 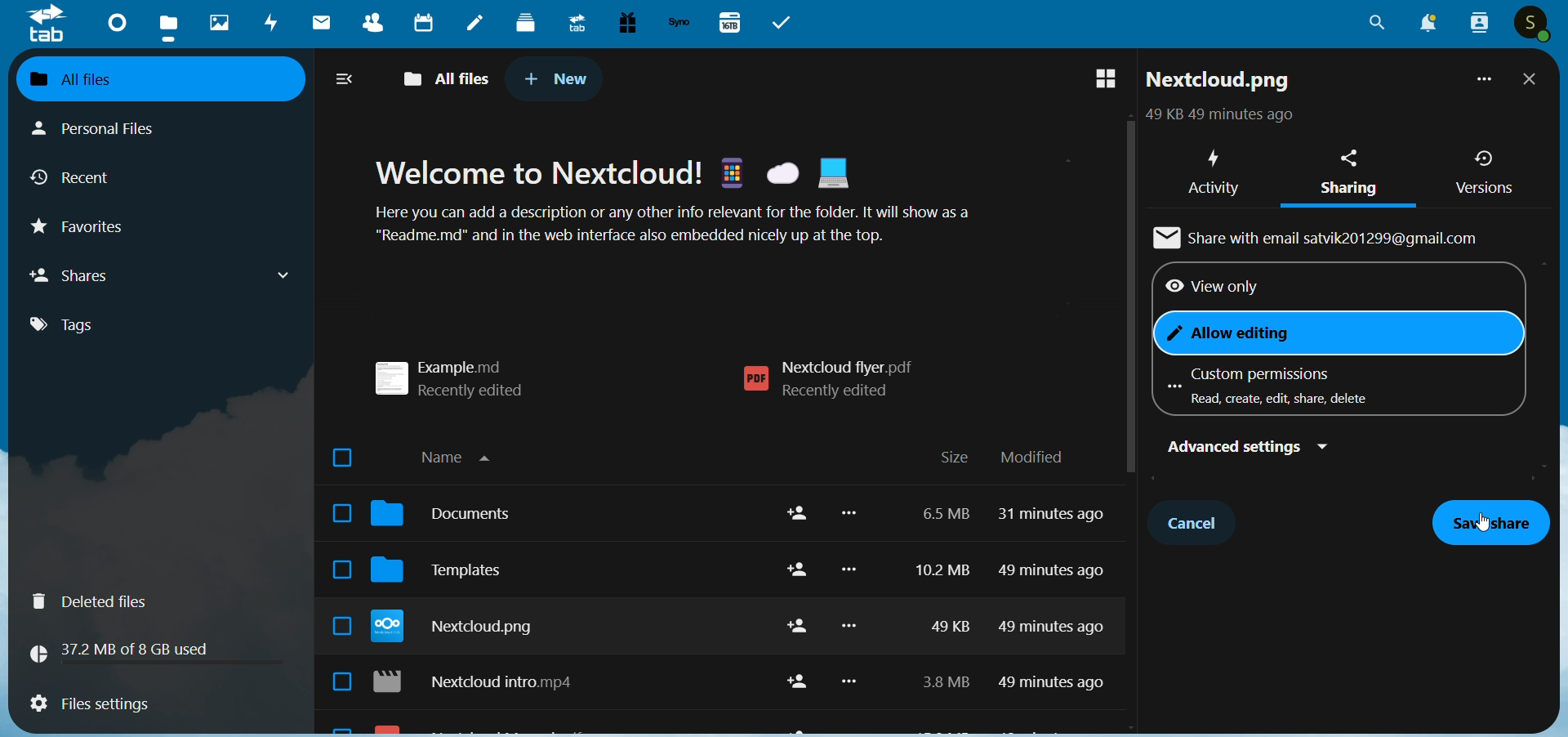 What do you see at coordinates (335, 572) in the screenshot?
I see `select` at bounding box center [335, 572].